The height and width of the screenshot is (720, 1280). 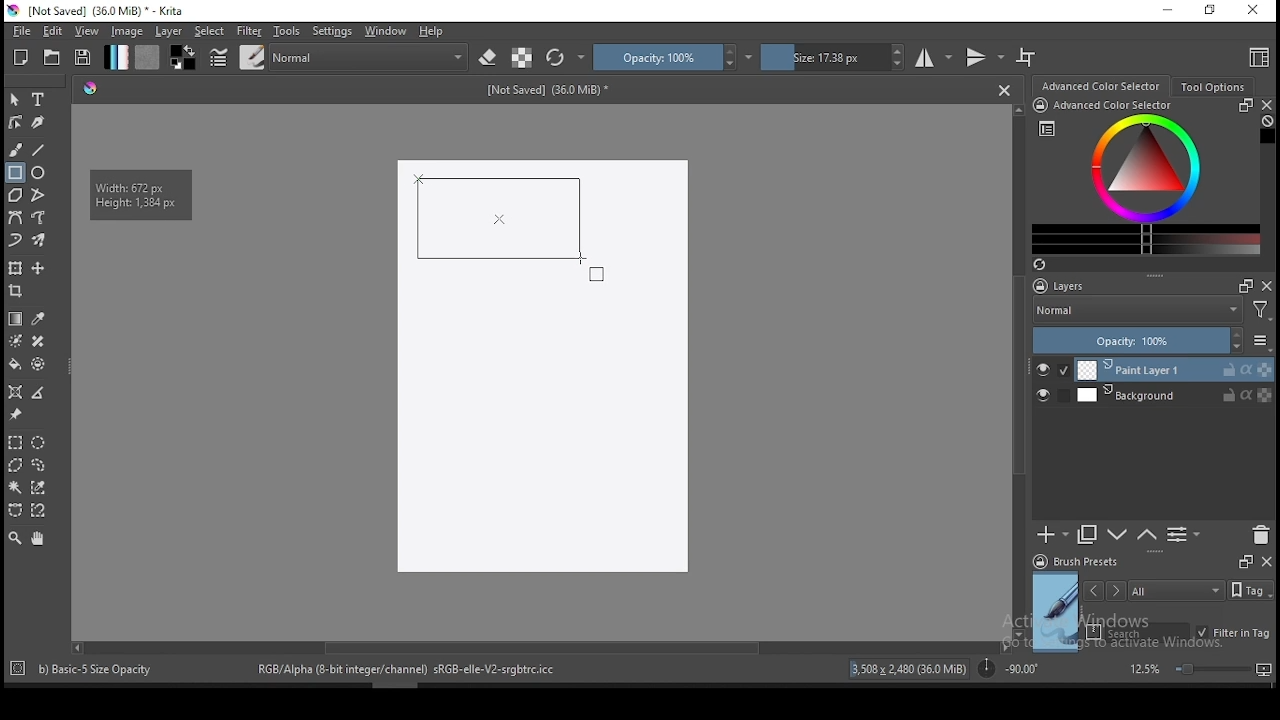 I want to click on brush tool, so click(x=17, y=149).